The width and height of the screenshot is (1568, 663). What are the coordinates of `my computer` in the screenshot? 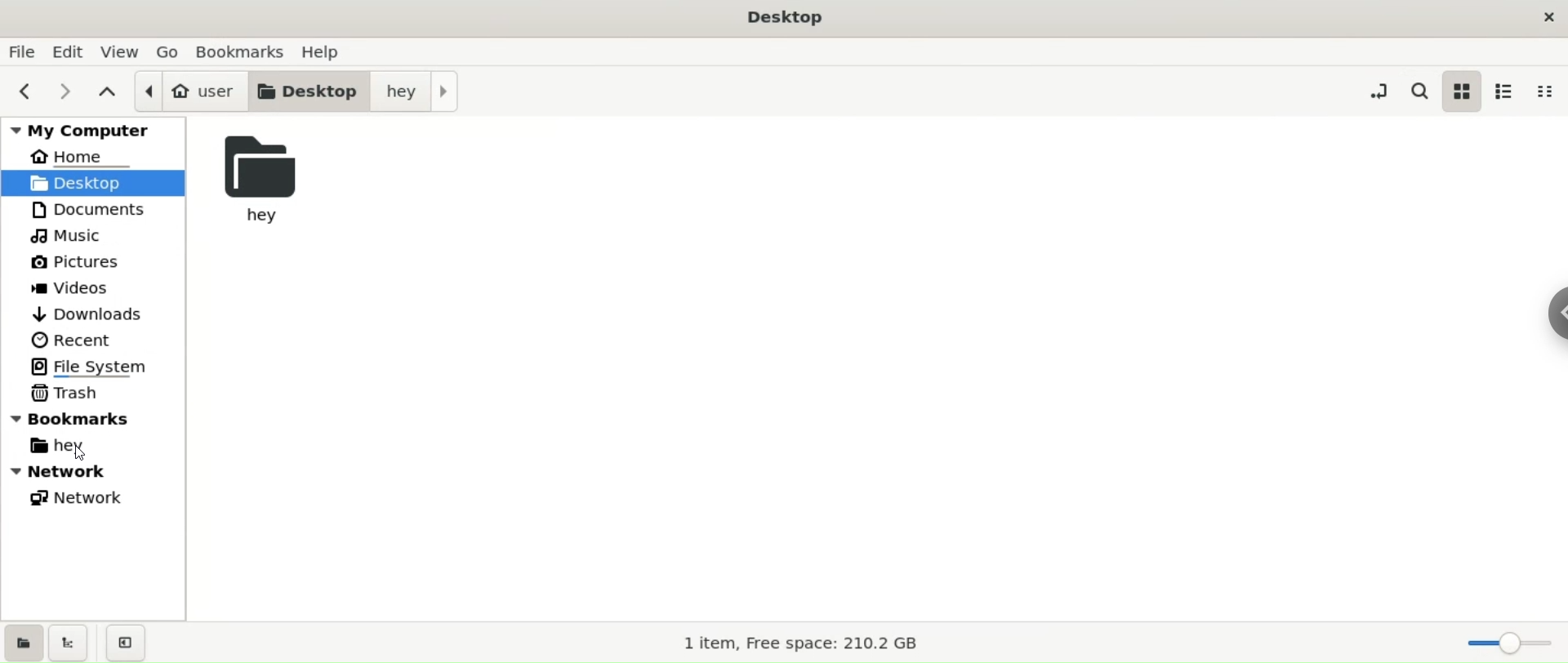 It's located at (96, 128).